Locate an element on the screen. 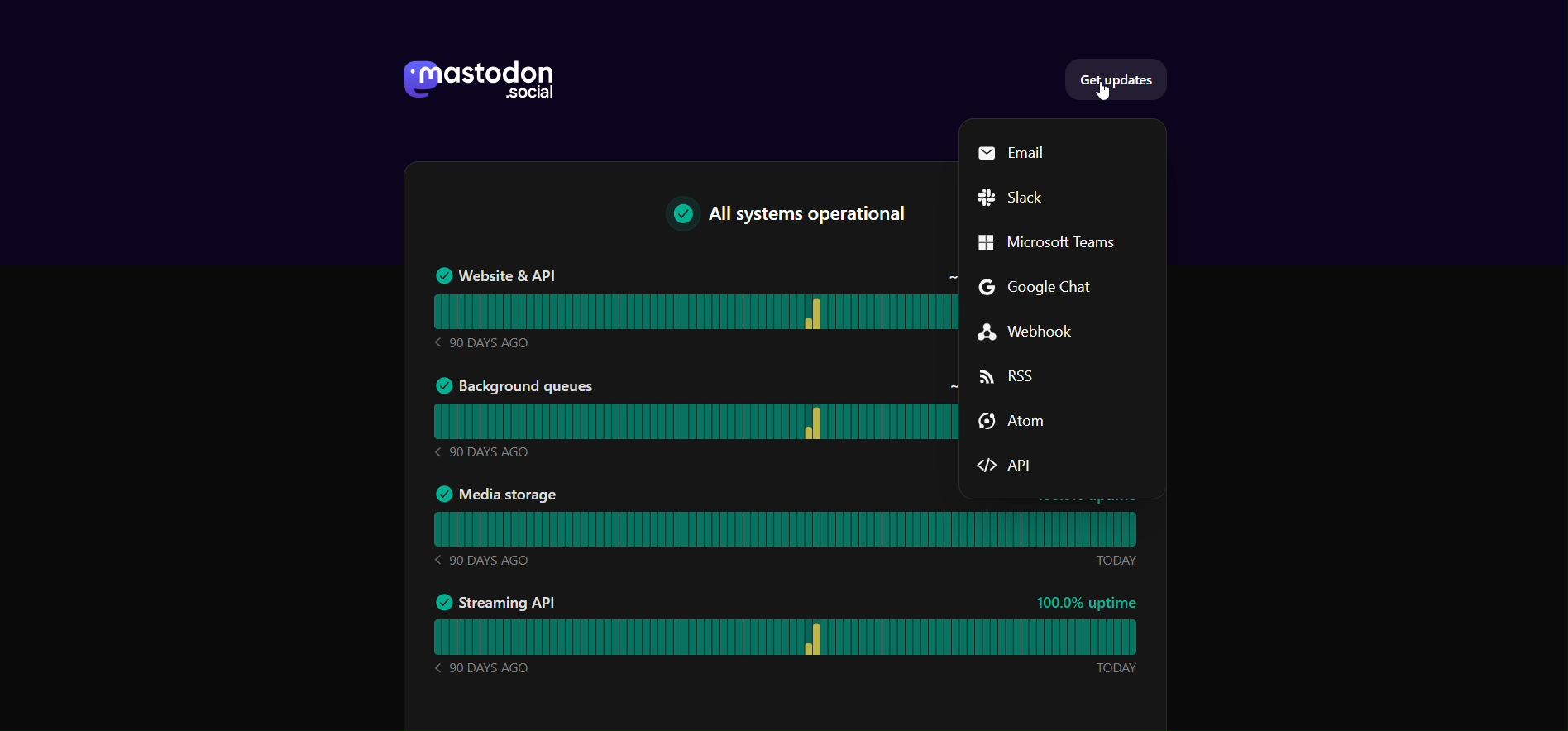 This screenshot has width=1568, height=731. RSS is located at coordinates (1017, 377).